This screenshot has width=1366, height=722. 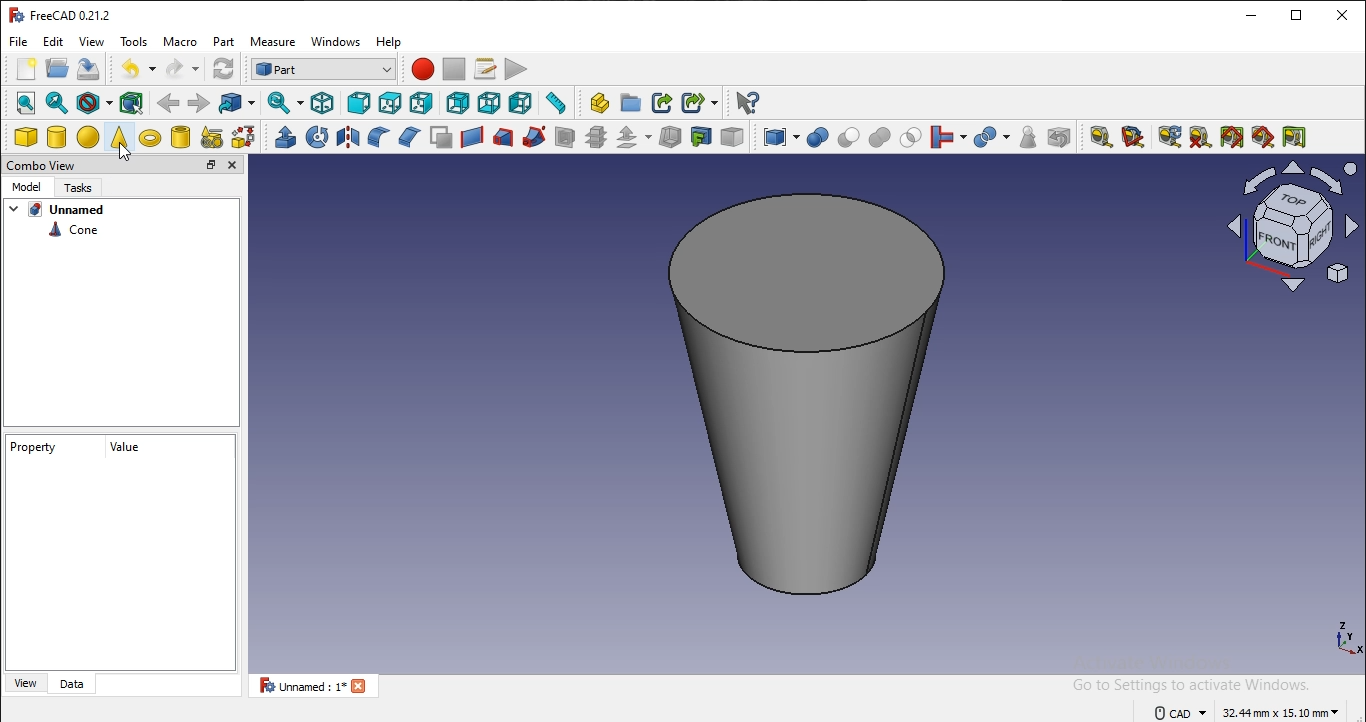 What do you see at coordinates (235, 165) in the screenshot?
I see `close` at bounding box center [235, 165].